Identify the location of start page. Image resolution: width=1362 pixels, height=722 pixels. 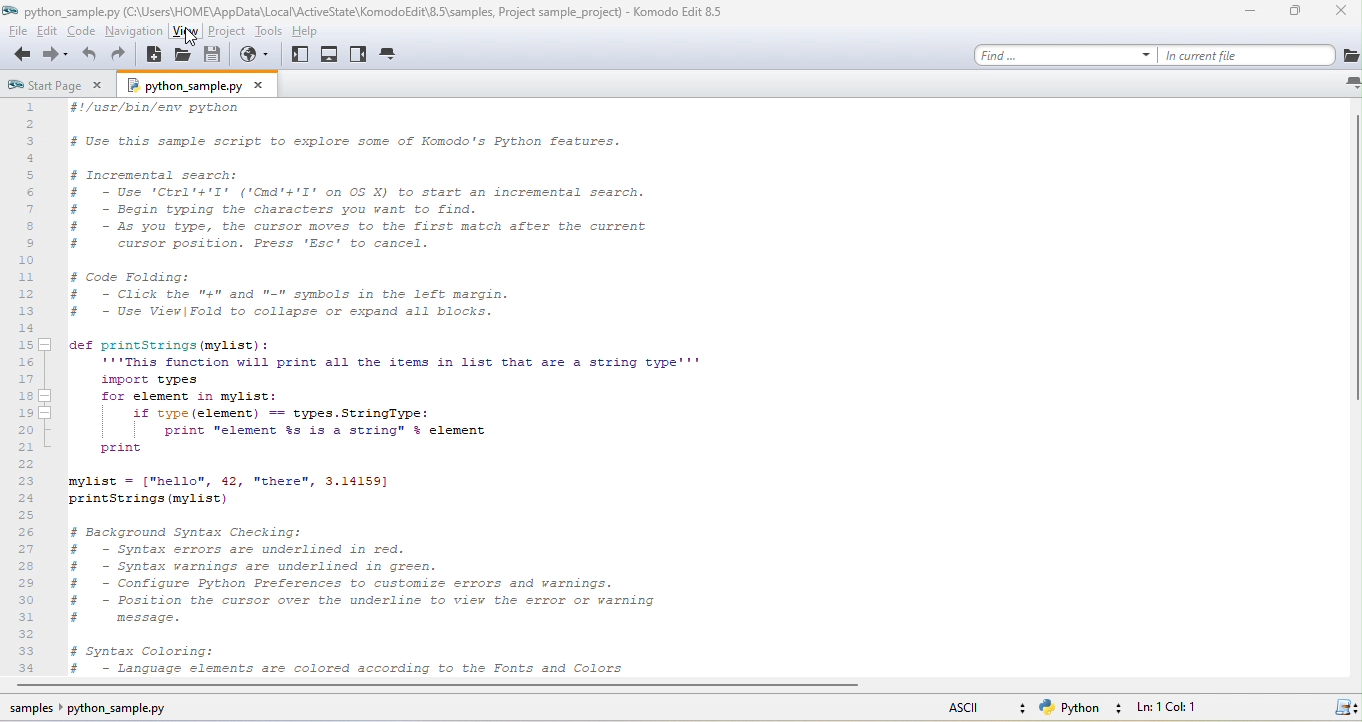
(60, 85).